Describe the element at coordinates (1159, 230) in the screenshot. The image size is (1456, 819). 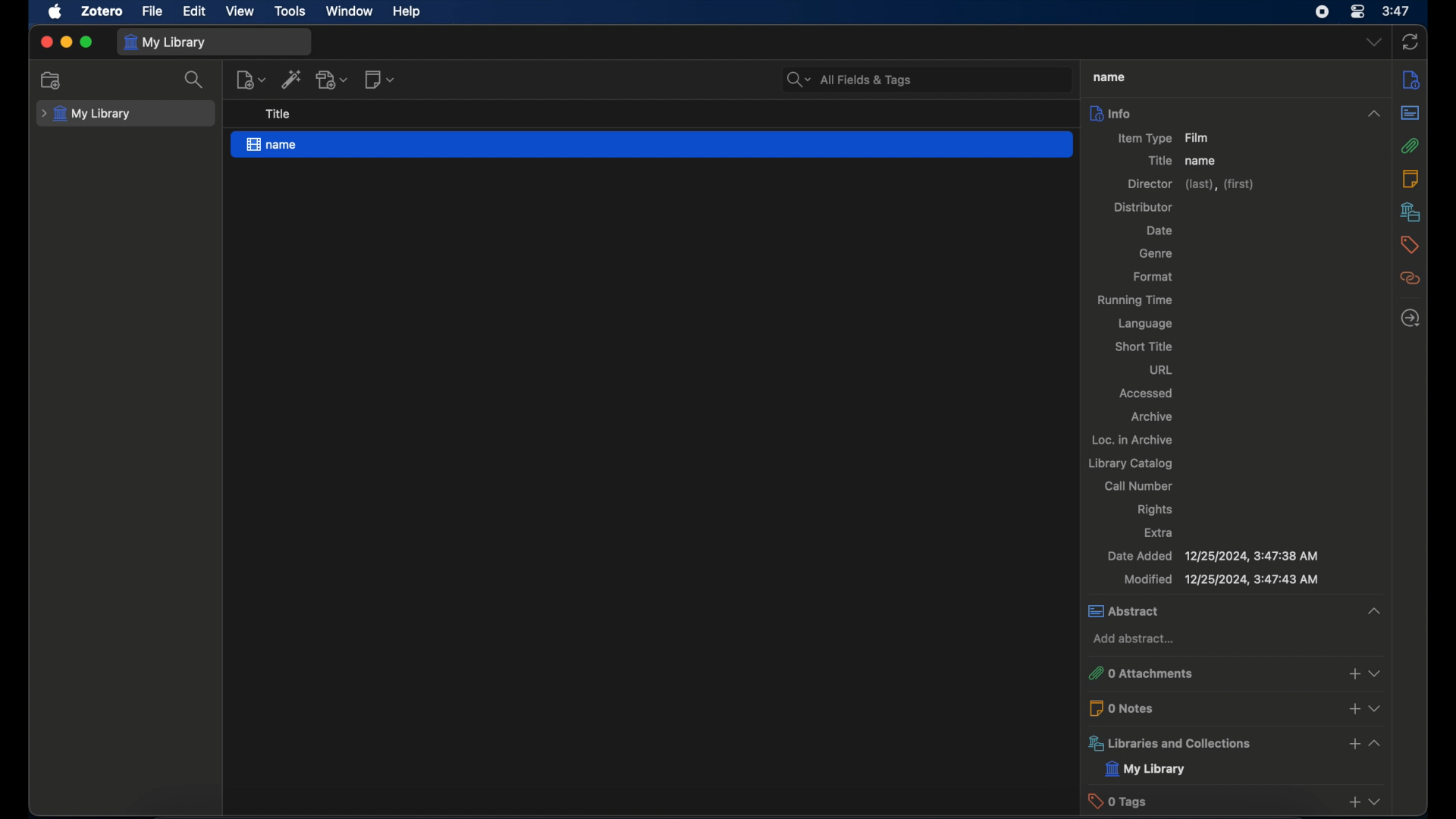
I see `date` at that location.